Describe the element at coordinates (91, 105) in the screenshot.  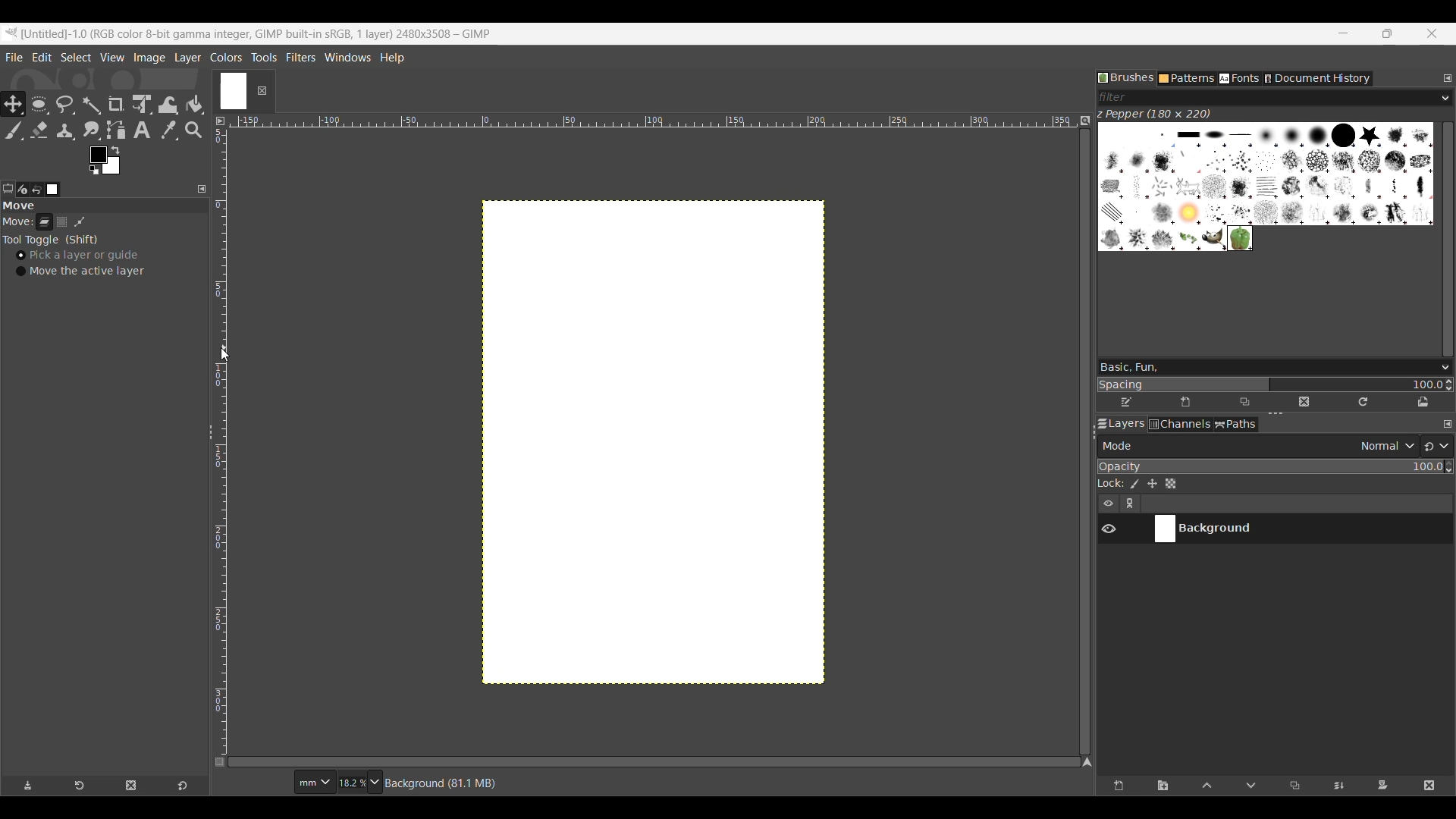
I see `Fuzzy select tool` at that location.